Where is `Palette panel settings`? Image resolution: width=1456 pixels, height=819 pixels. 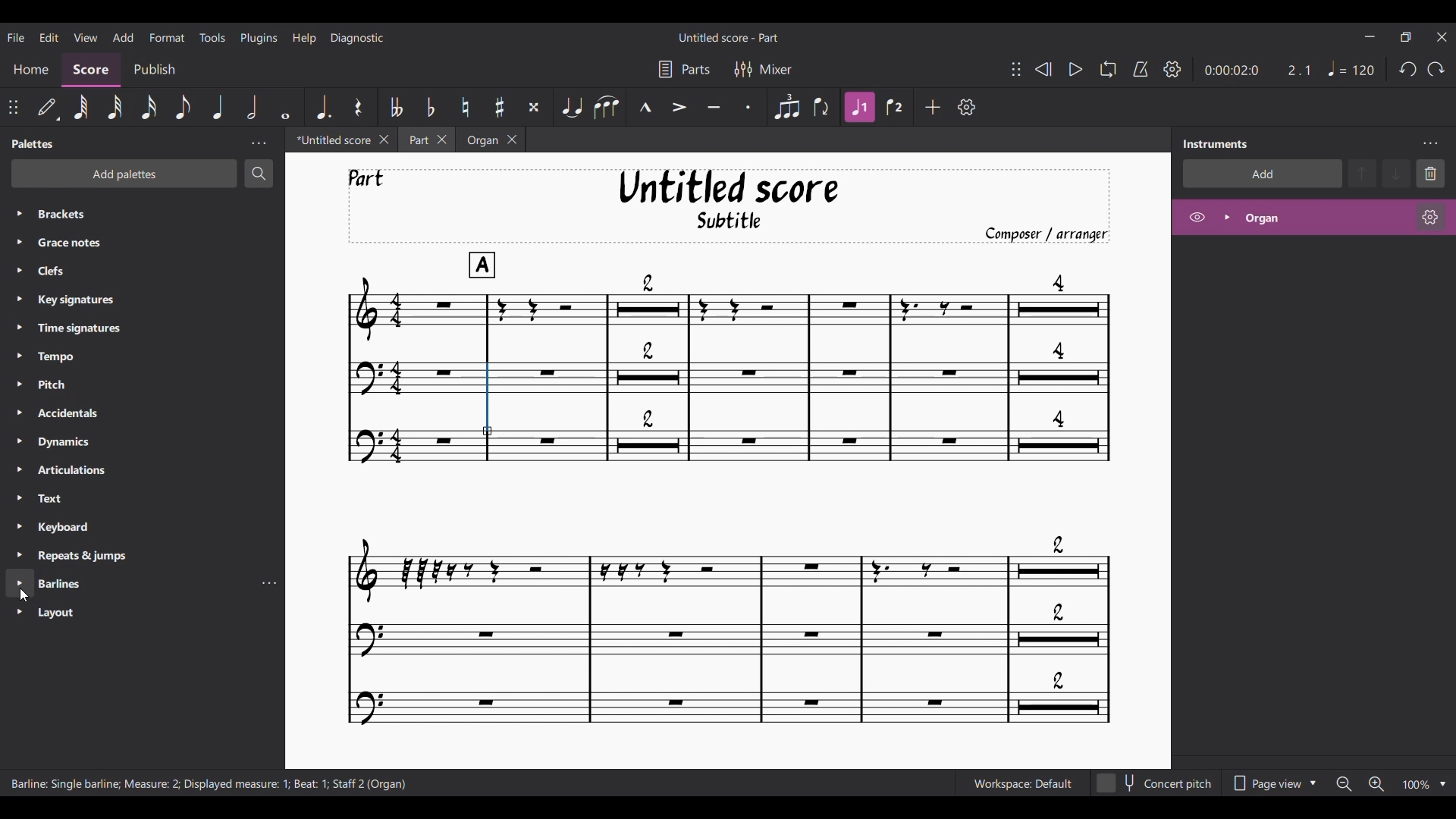 Palette panel settings is located at coordinates (259, 143).